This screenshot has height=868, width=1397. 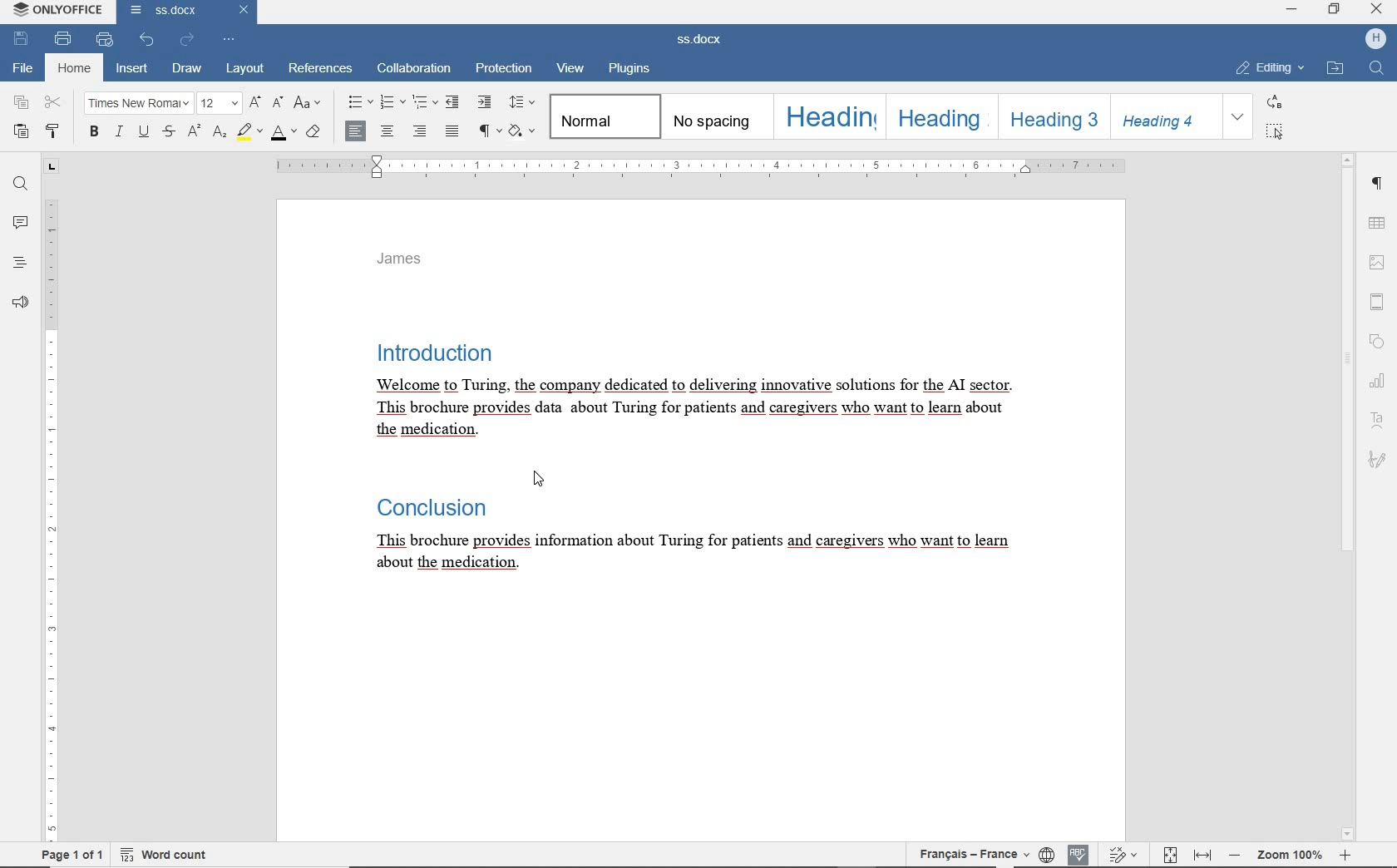 What do you see at coordinates (318, 68) in the screenshot?
I see `REFERENCES` at bounding box center [318, 68].